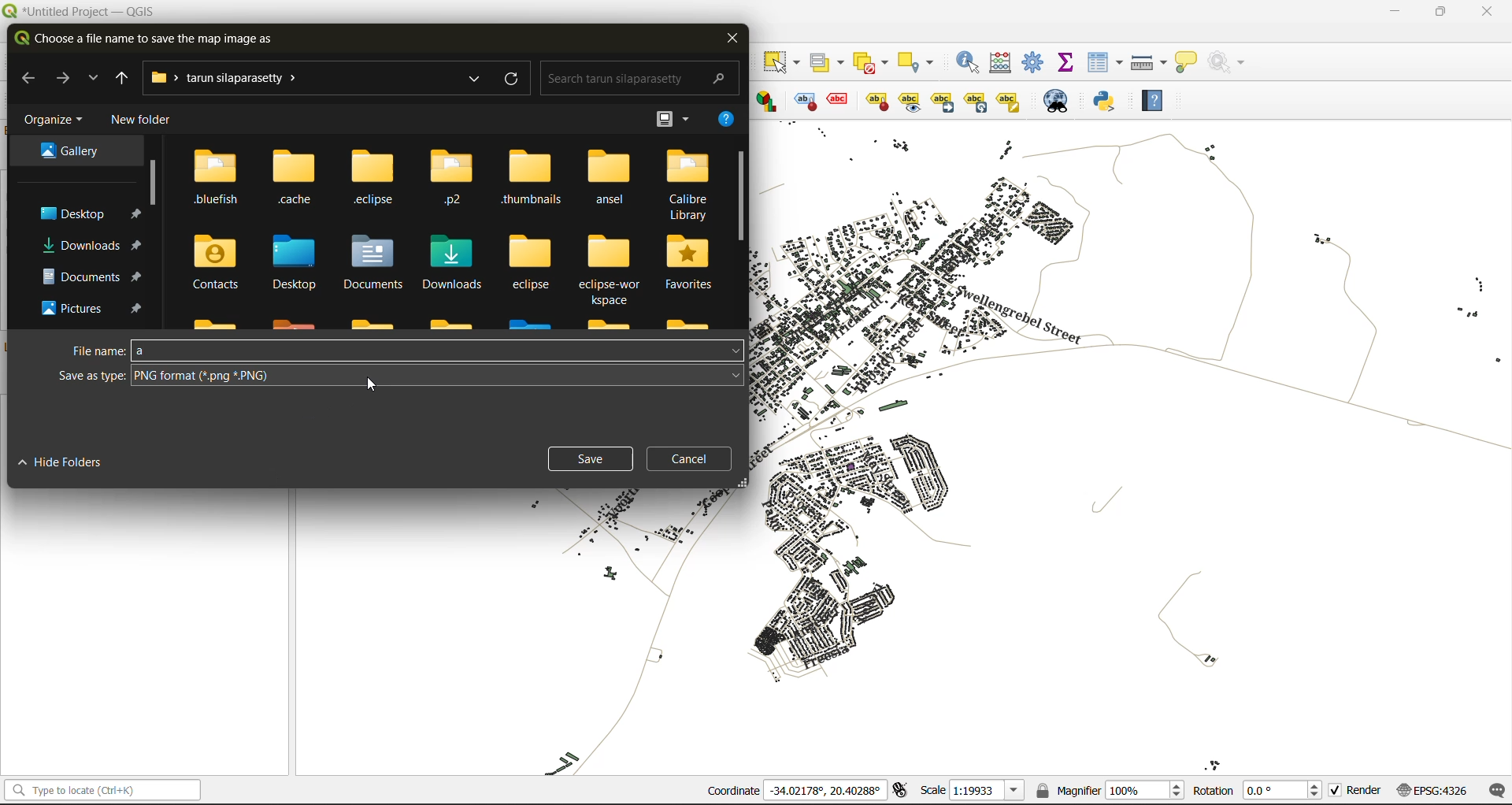 Image resolution: width=1512 pixels, height=805 pixels. I want to click on status bar, so click(100, 791).